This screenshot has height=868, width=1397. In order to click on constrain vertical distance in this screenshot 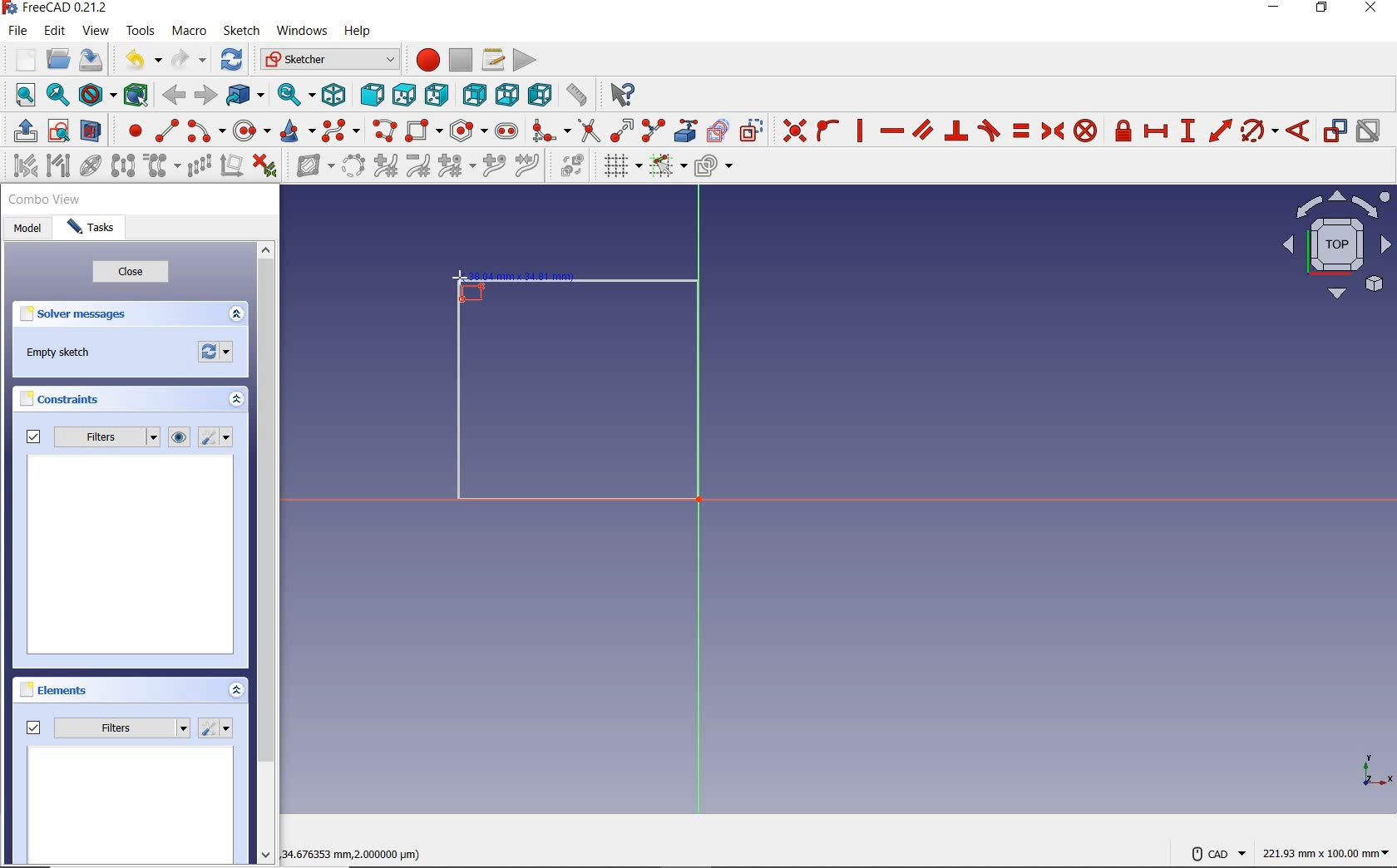, I will do `click(1190, 132)`.